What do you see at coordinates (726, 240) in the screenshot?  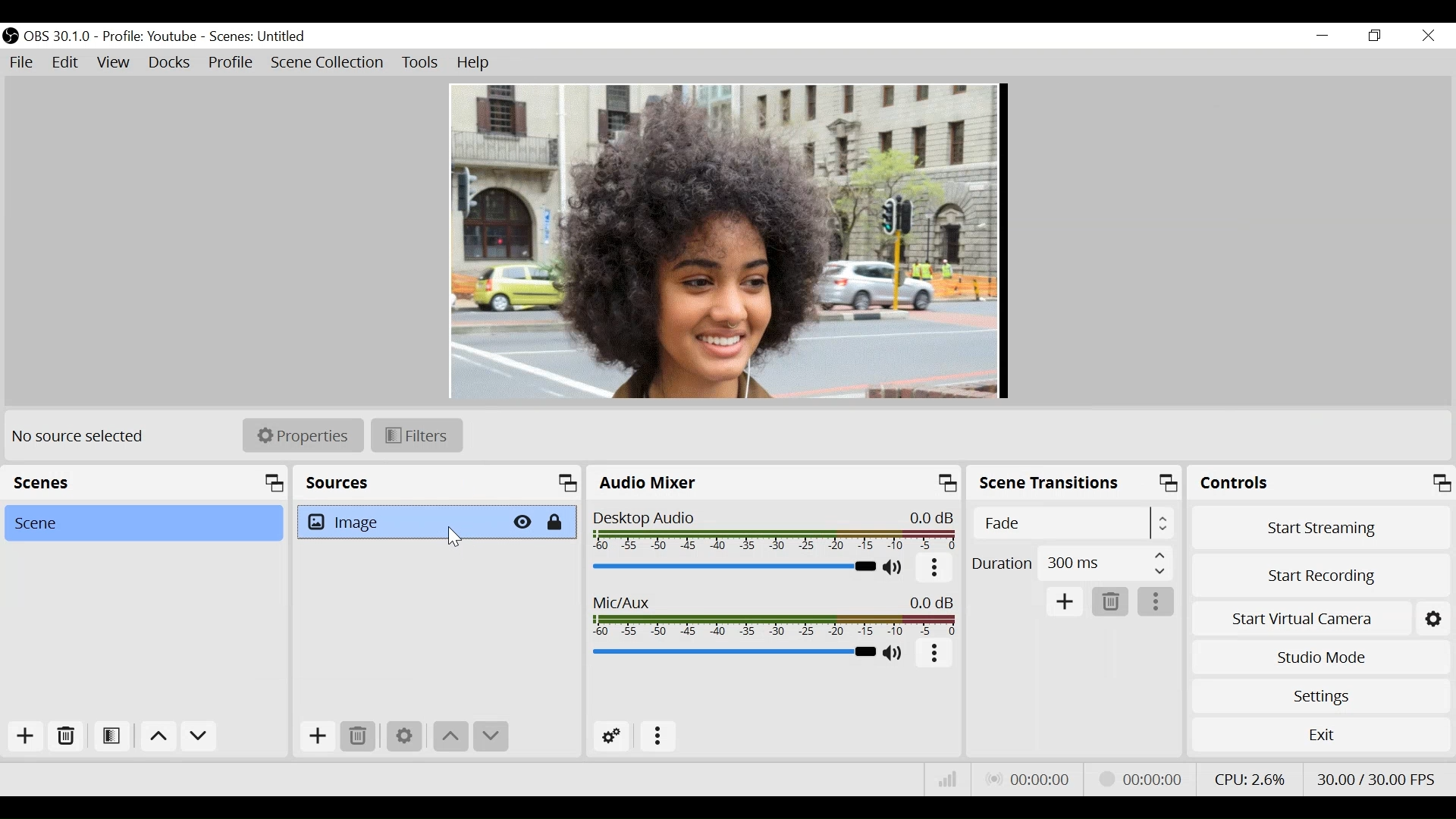 I see `Preview` at bounding box center [726, 240].